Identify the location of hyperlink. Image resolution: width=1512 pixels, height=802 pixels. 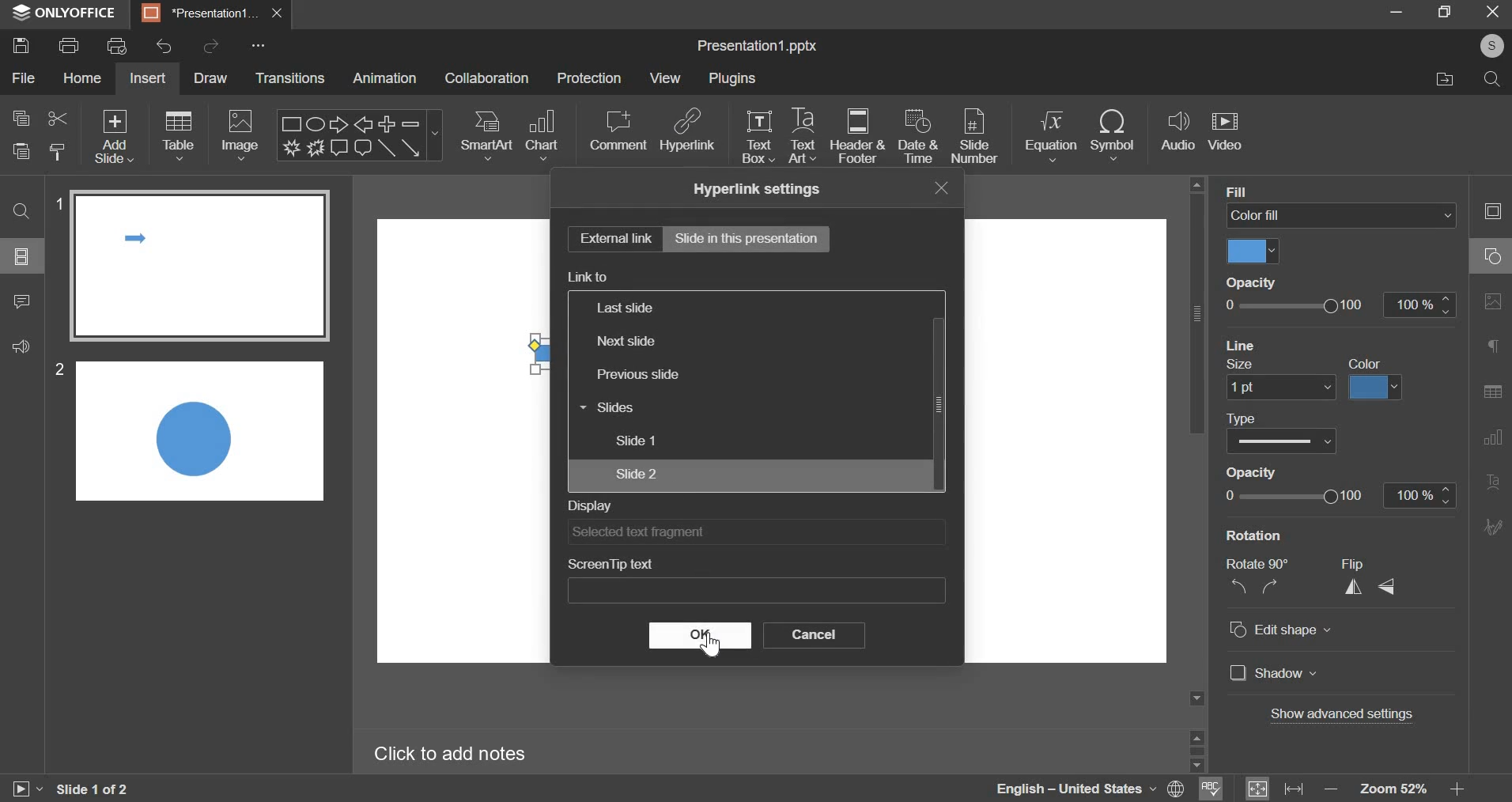
(687, 132).